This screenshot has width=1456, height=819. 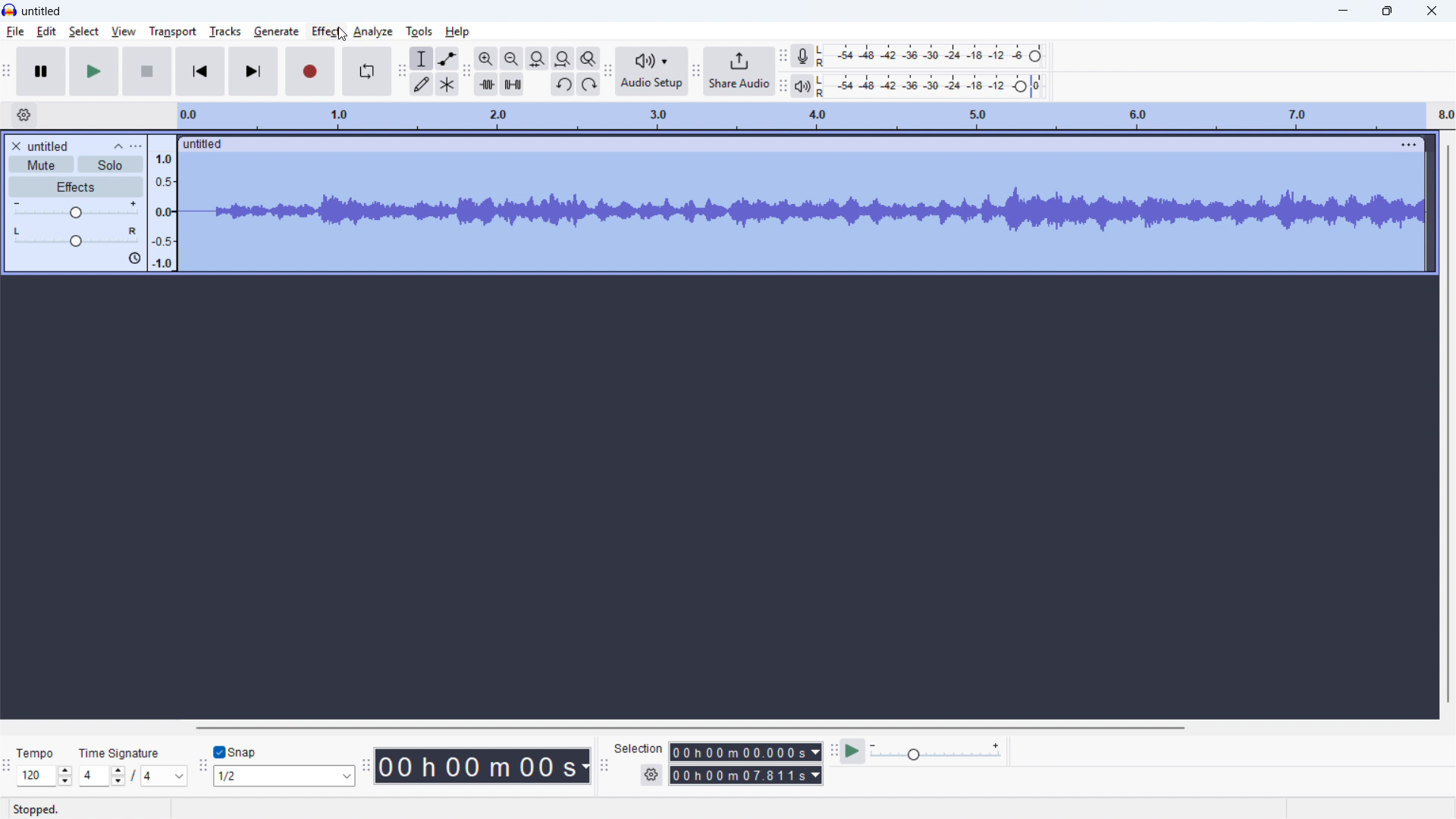 What do you see at coordinates (458, 31) in the screenshot?
I see `help` at bounding box center [458, 31].